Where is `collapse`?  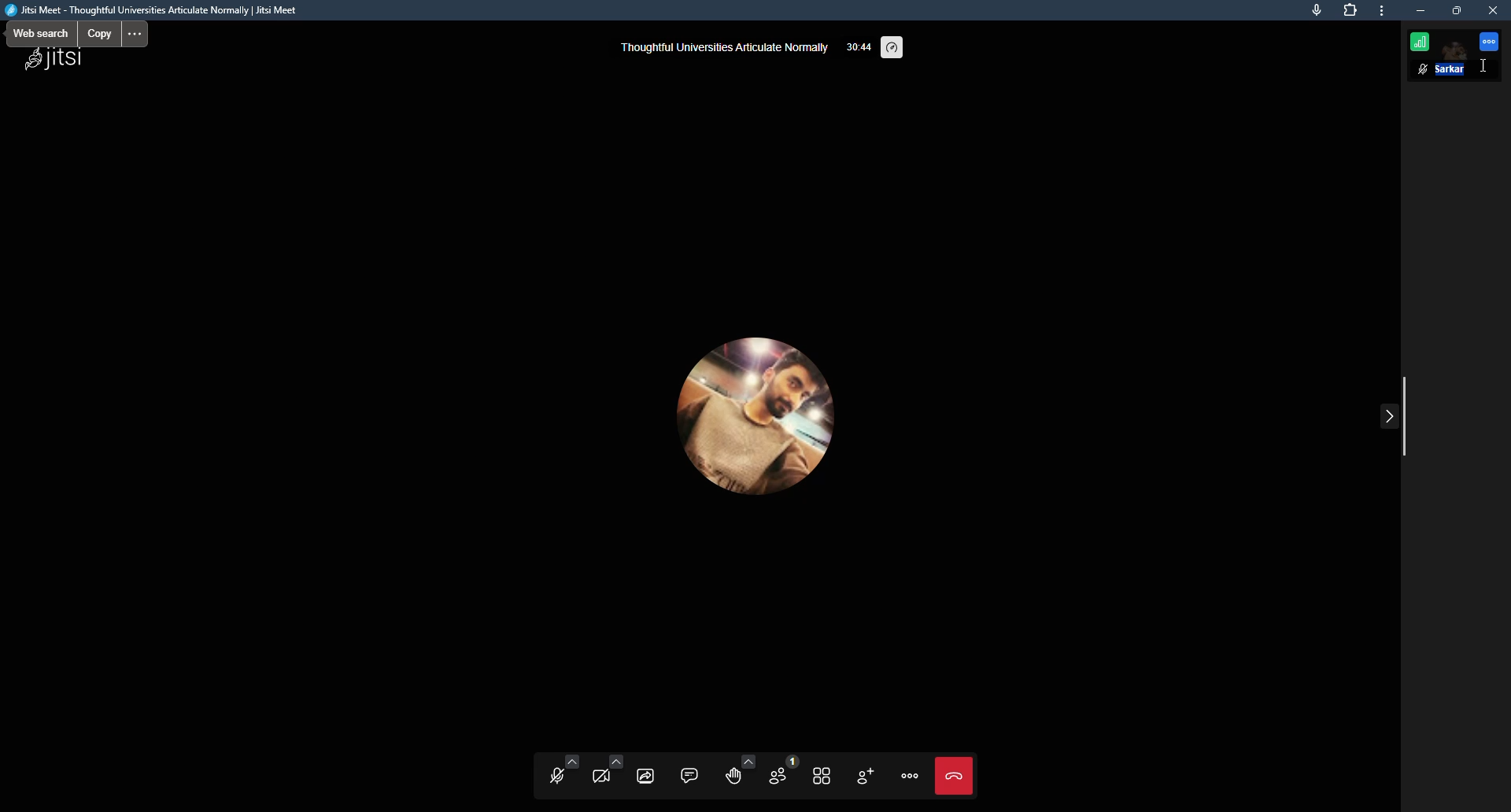
collapse is located at coordinates (1395, 416).